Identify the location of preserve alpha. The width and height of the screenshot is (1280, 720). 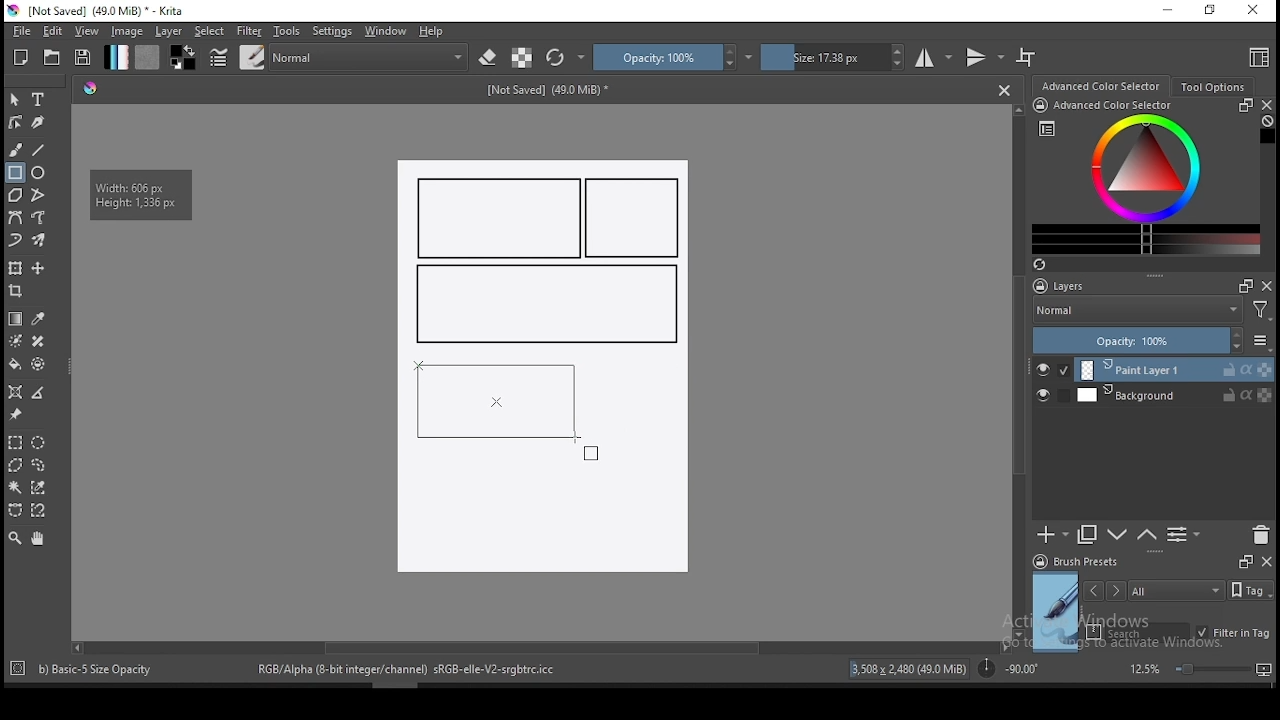
(522, 59).